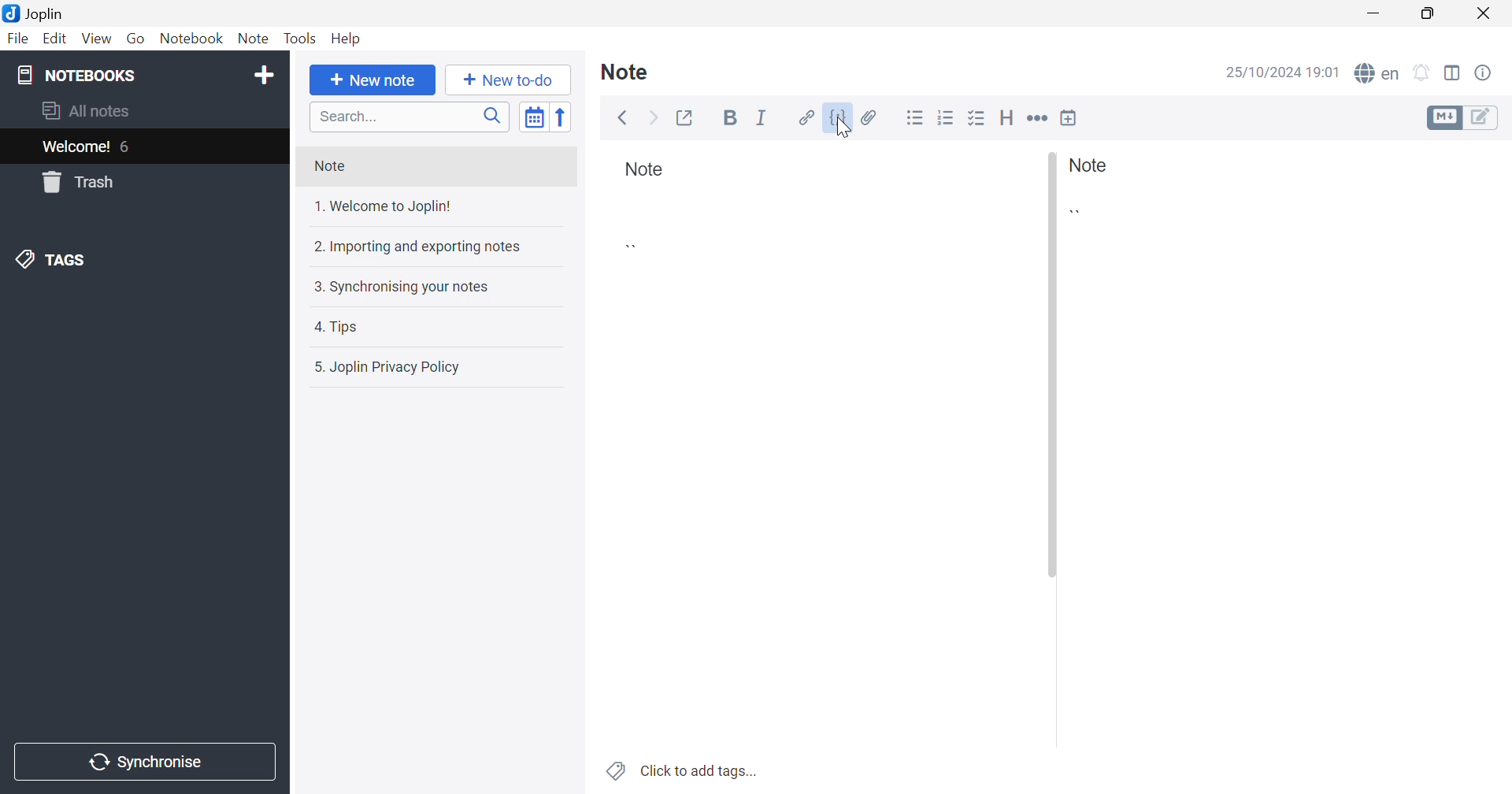 This screenshot has width=1512, height=794. I want to click on Joplin, so click(33, 13).